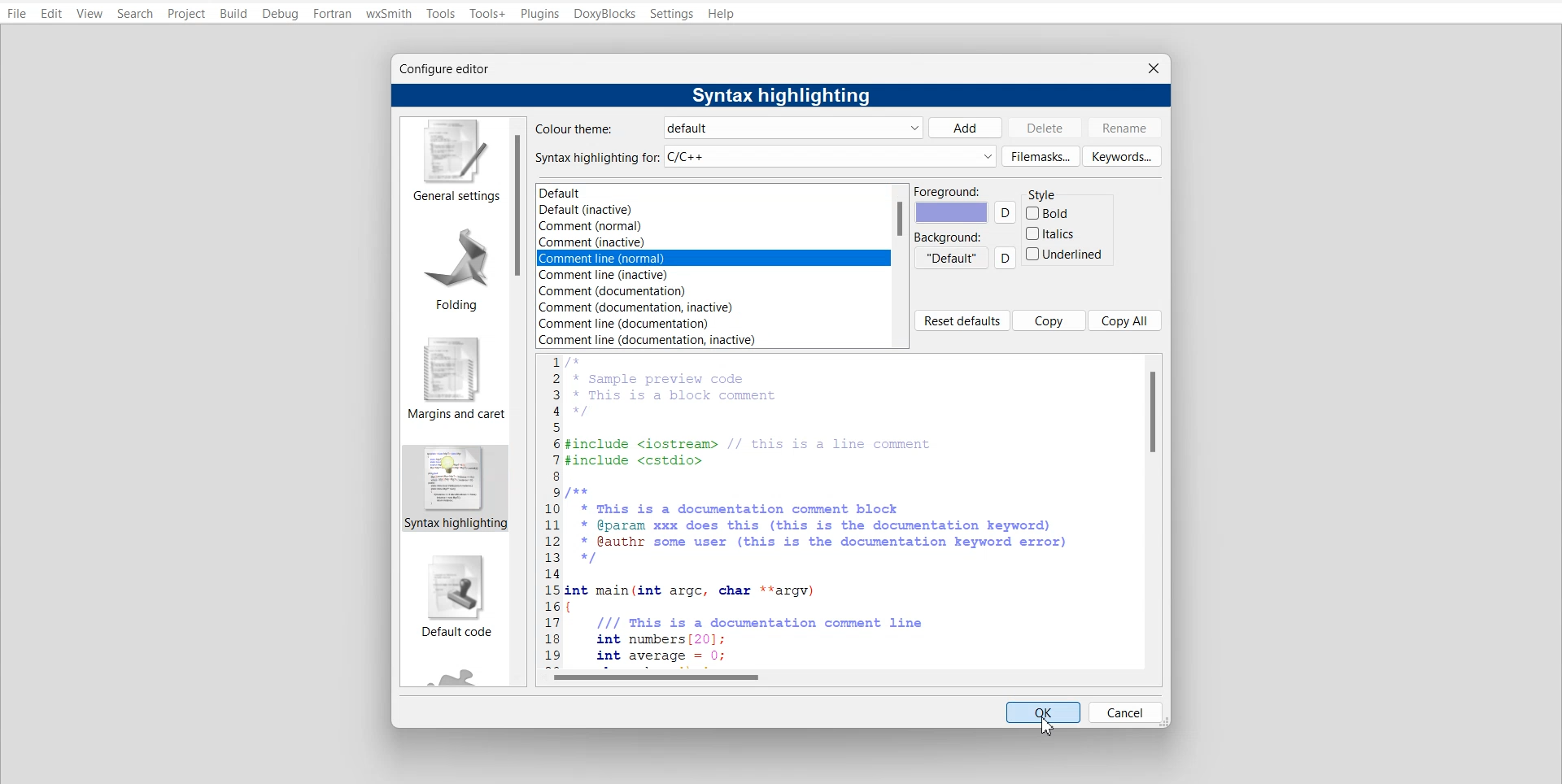 The width and height of the screenshot is (1562, 784). I want to click on Vertical scroll bar, so click(1156, 510).